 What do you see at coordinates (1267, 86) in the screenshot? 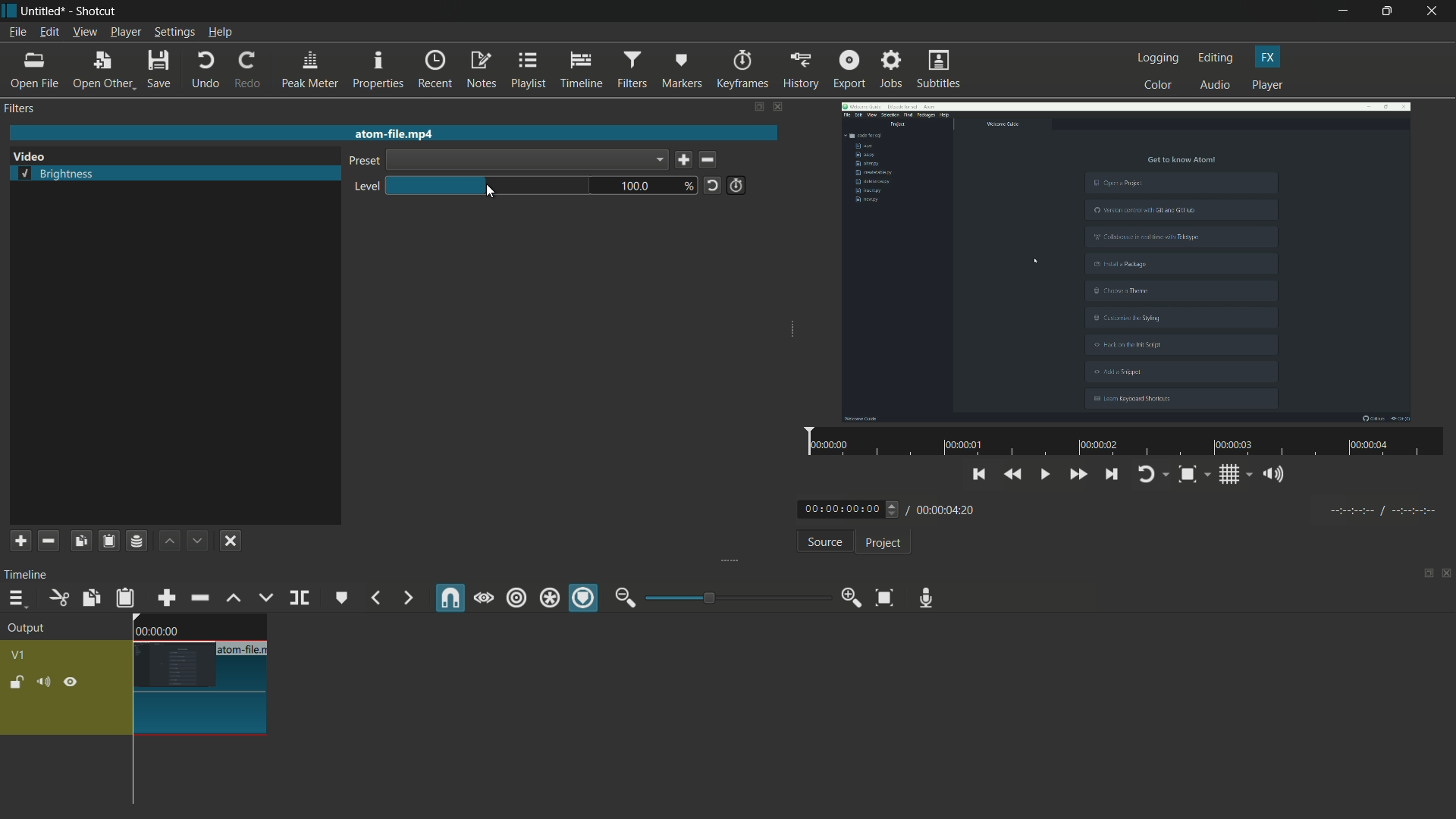
I see `player` at bounding box center [1267, 86].